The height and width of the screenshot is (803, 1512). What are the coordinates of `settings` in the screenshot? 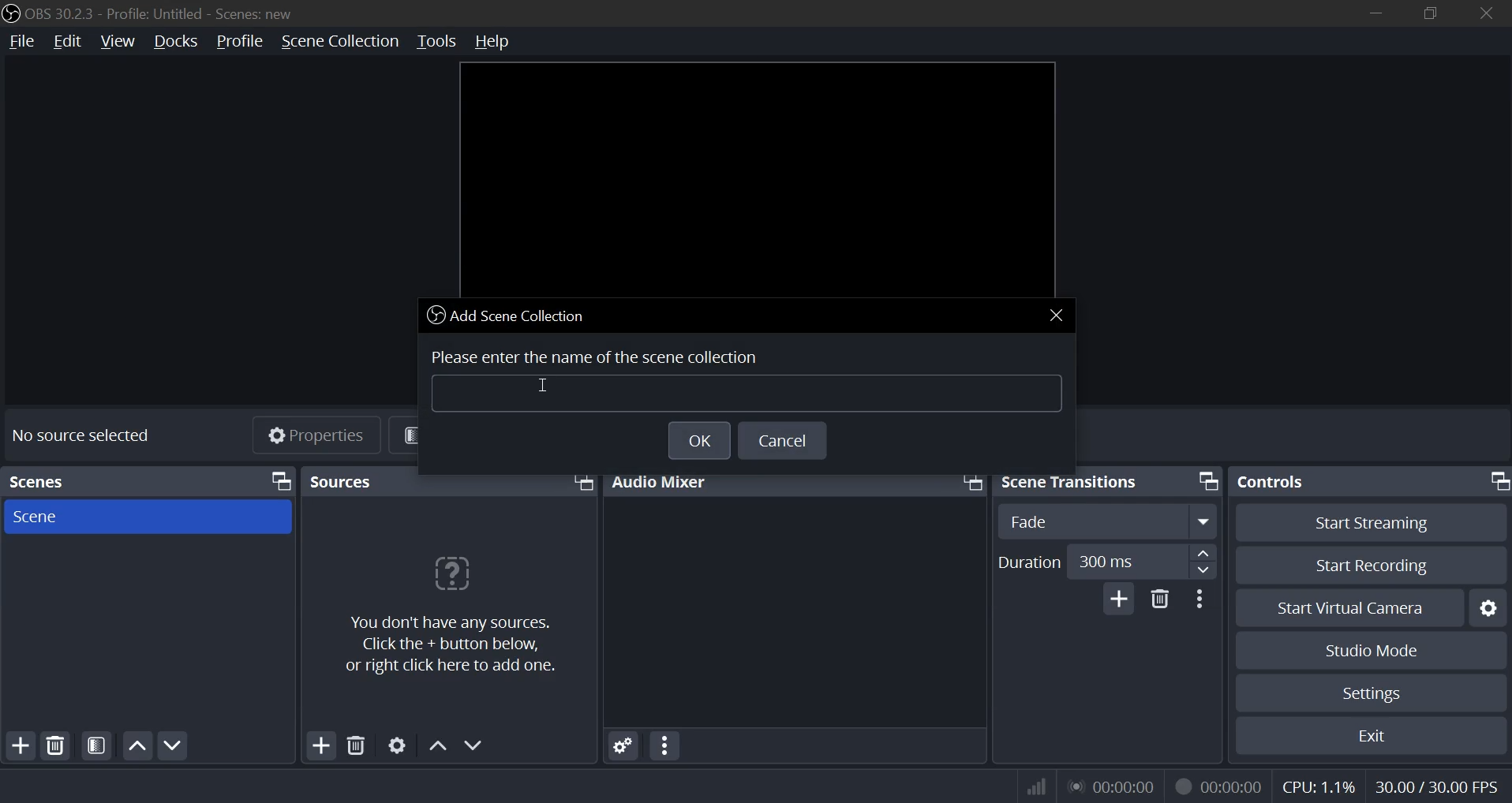 It's located at (1374, 691).